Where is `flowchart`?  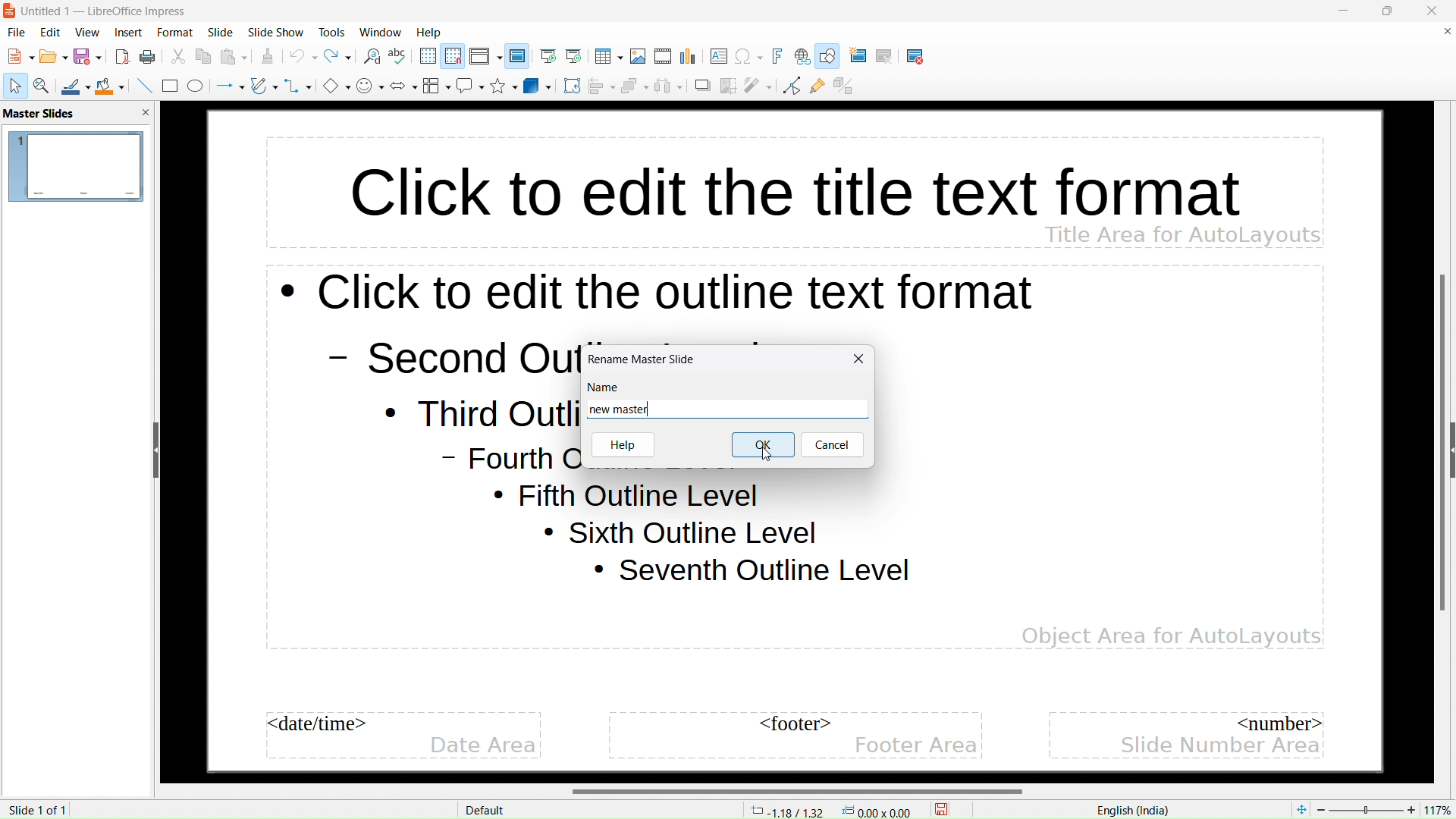 flowchart is located at coordinates (437, 86).